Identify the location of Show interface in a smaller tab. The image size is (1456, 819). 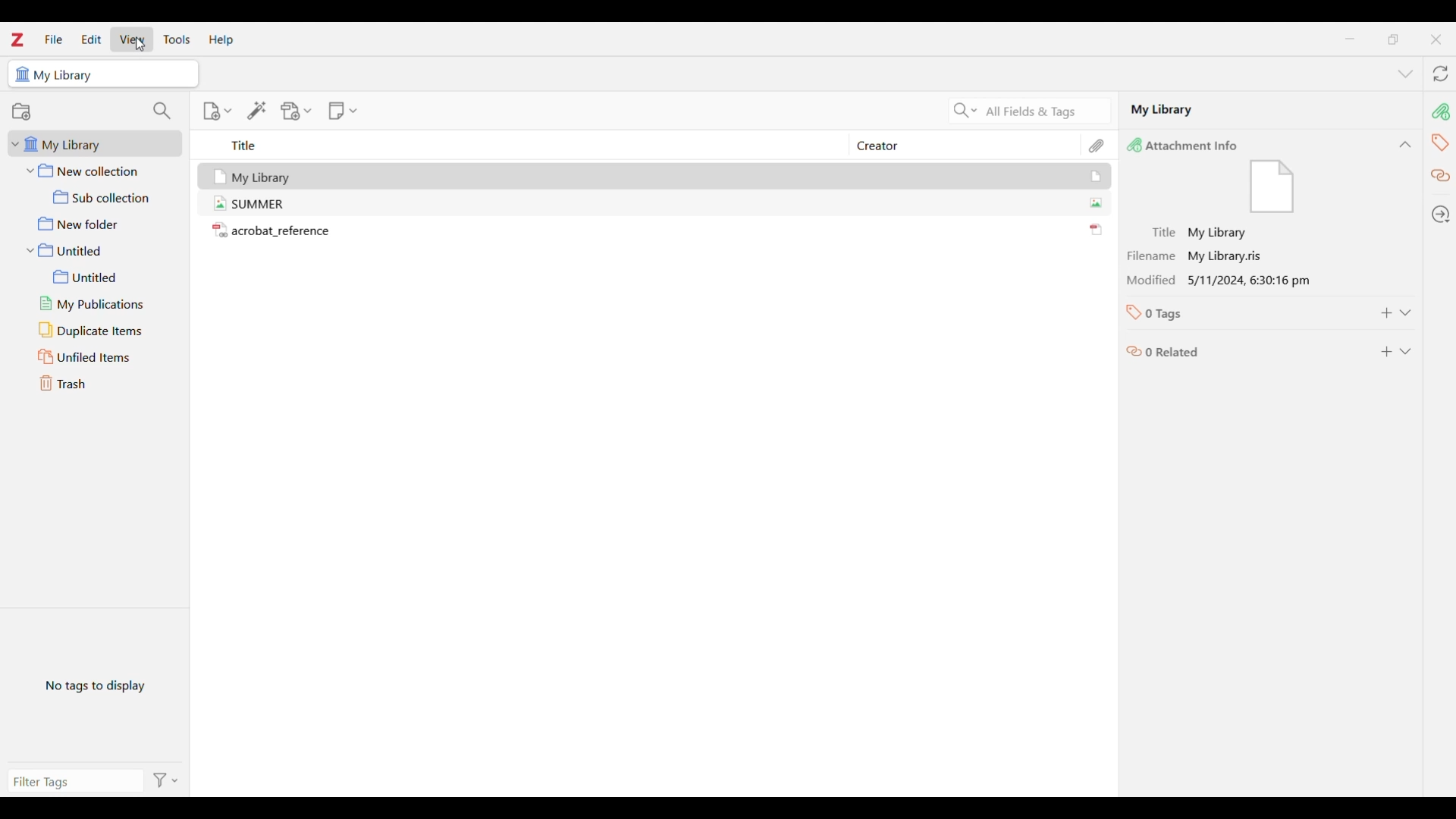
(1394, 39).